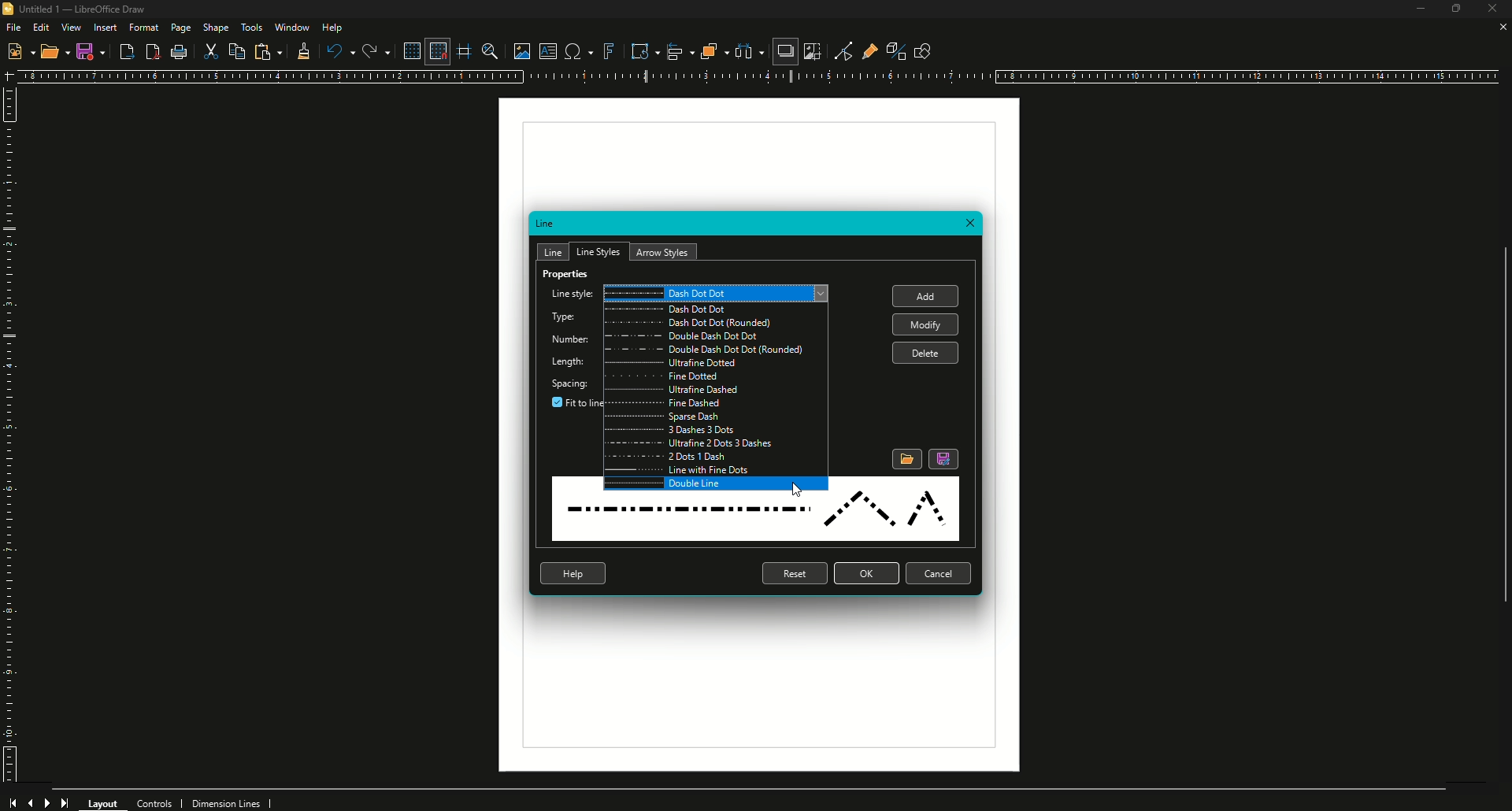 The width and height of the screenshot is (1512, 811). What do you see at coordinates (944, 459) in the screenshot?
I see `Save Line Style` at bounding box center [944, 459].